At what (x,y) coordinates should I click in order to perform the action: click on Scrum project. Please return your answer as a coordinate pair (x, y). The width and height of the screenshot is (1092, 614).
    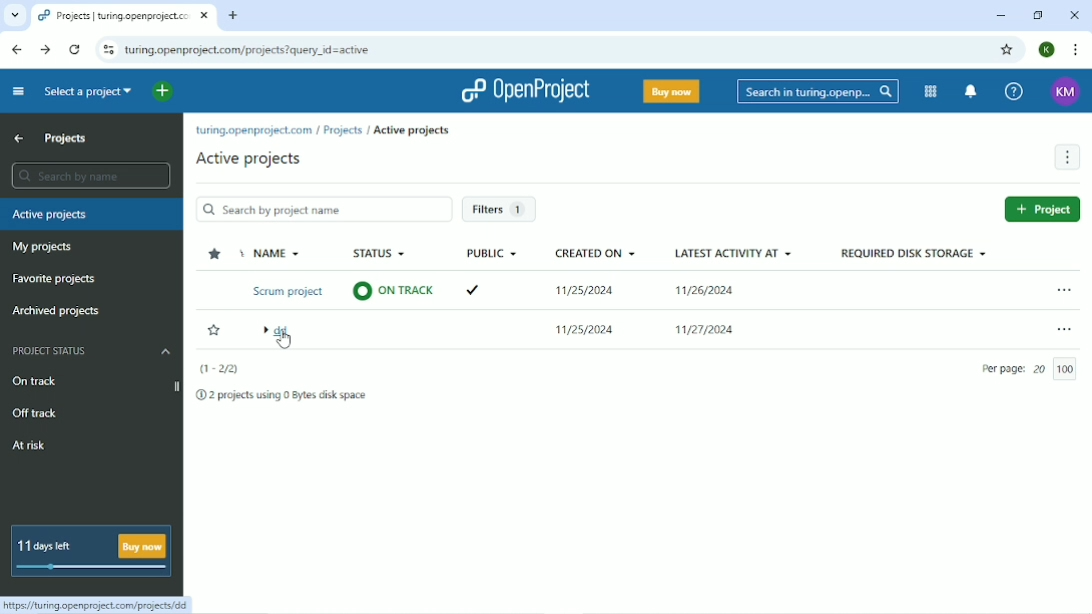
    Looking at the image, I should click on (284, 291).